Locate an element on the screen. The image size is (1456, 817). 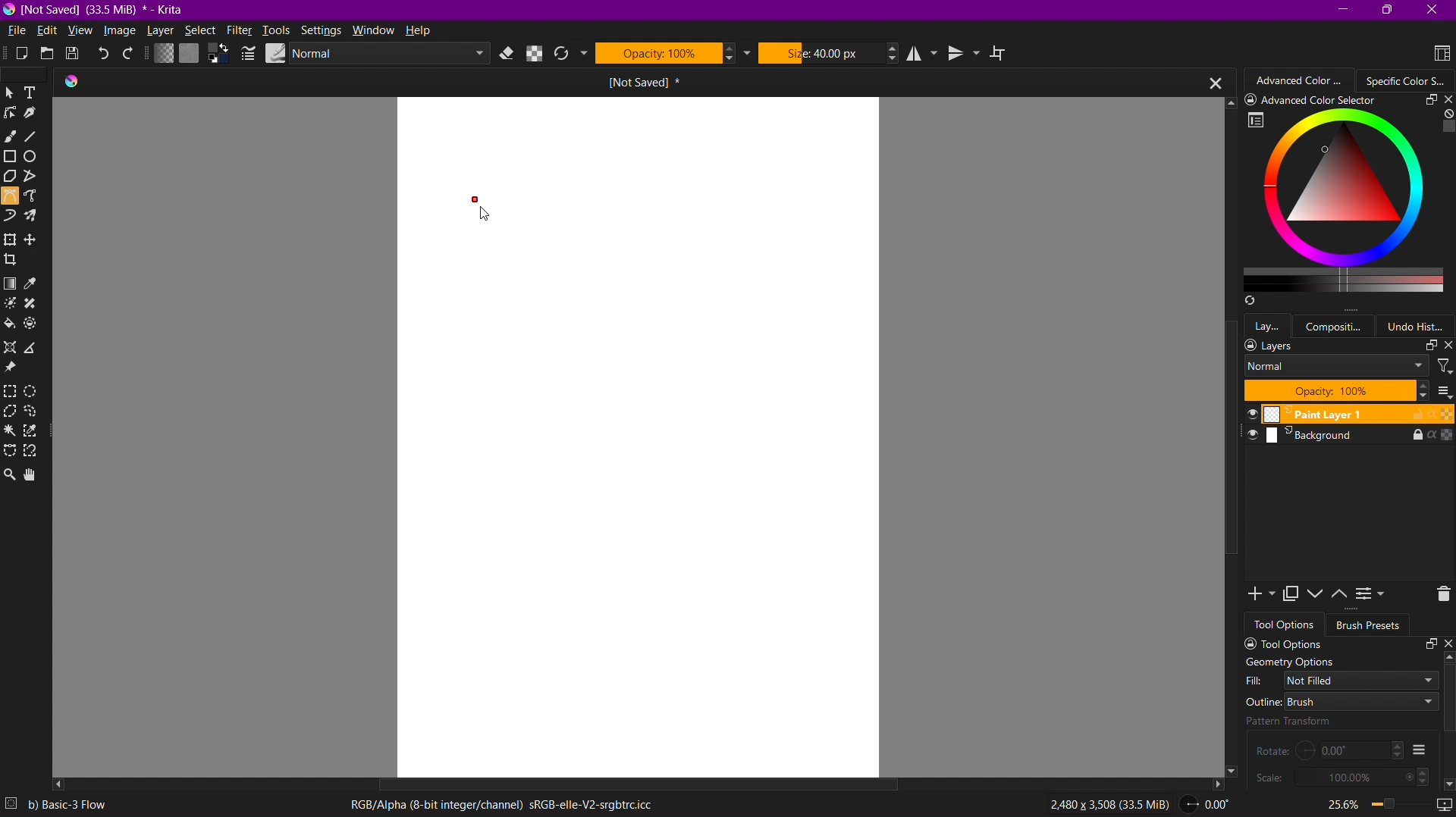
Rectangular Selection Tool is located at coordinates (13, 392).